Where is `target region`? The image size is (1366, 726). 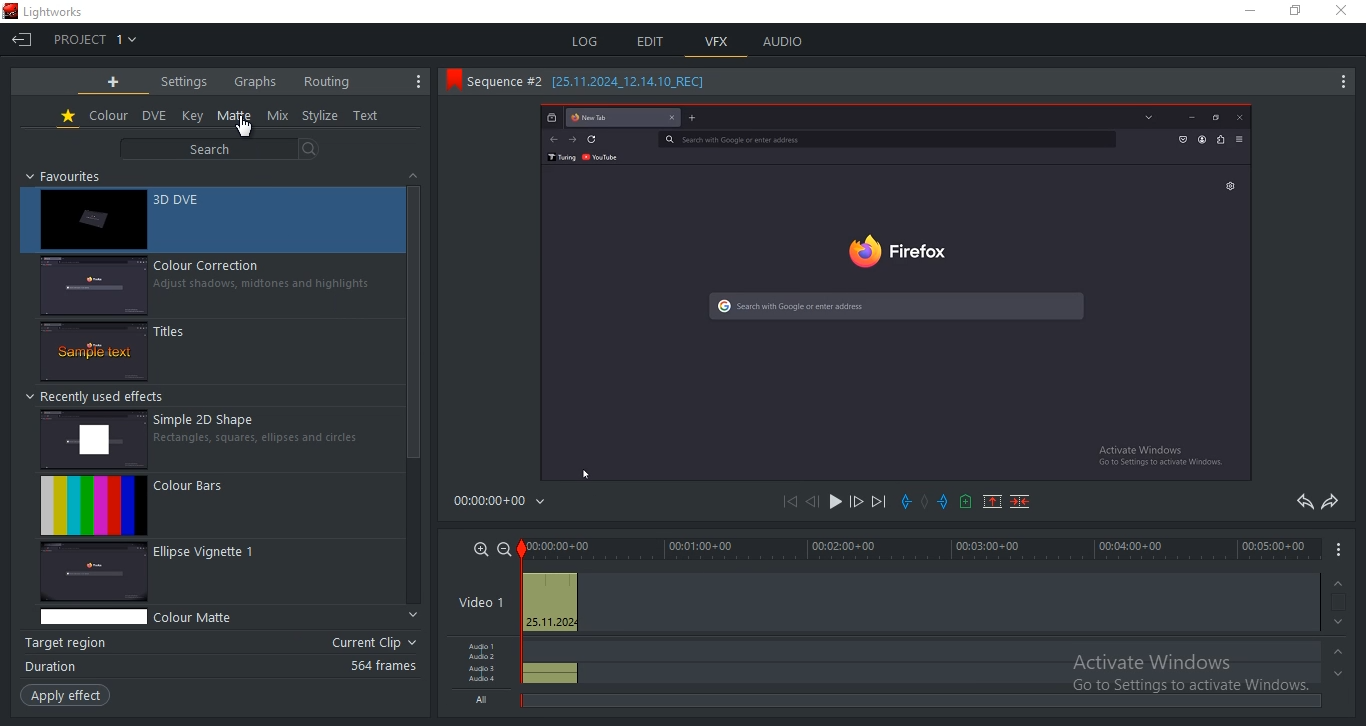 target region is located at coordinates (219, 644).